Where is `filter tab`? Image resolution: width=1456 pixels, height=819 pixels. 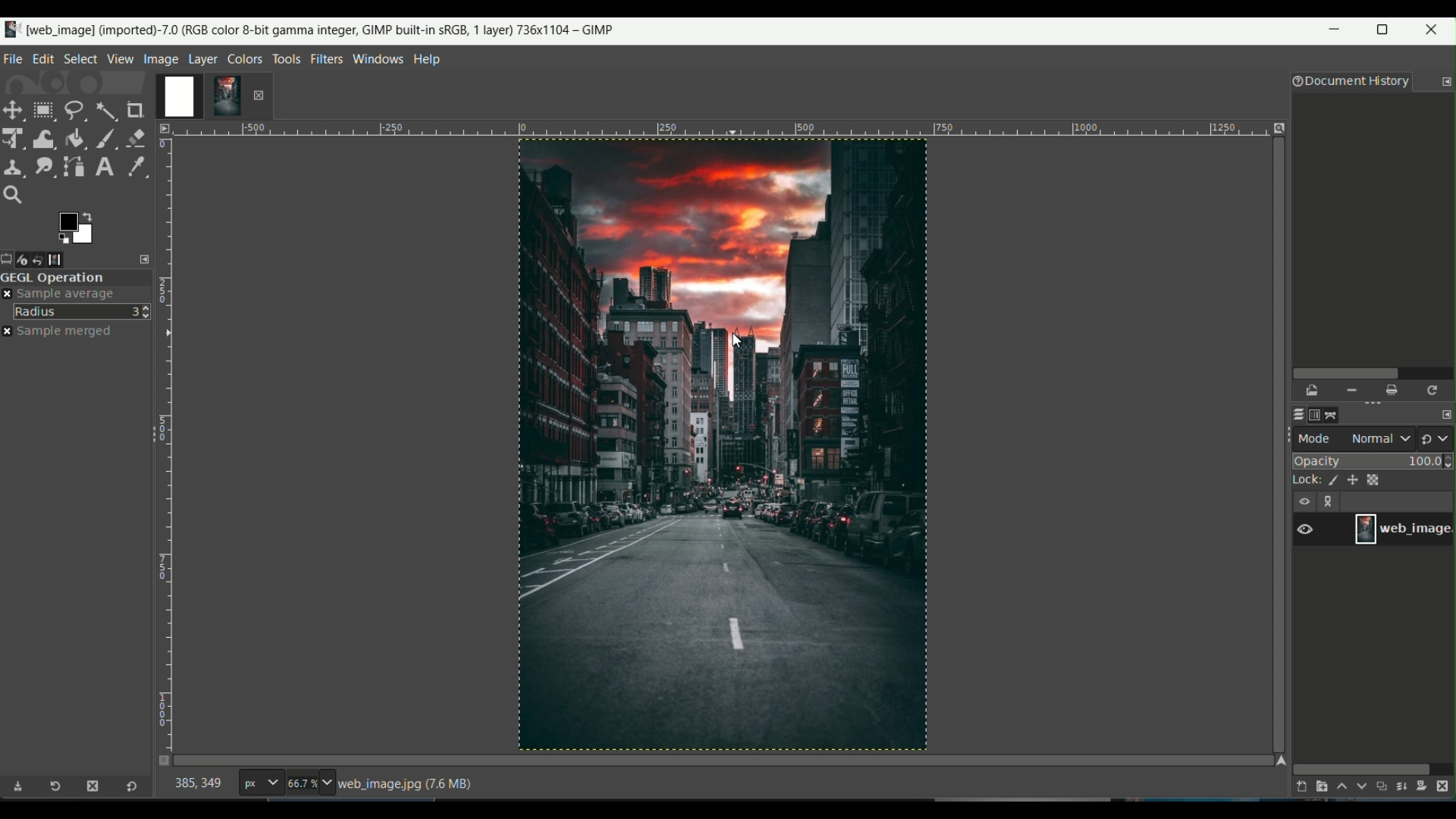 filter tab is located at coordinates (326, 58).